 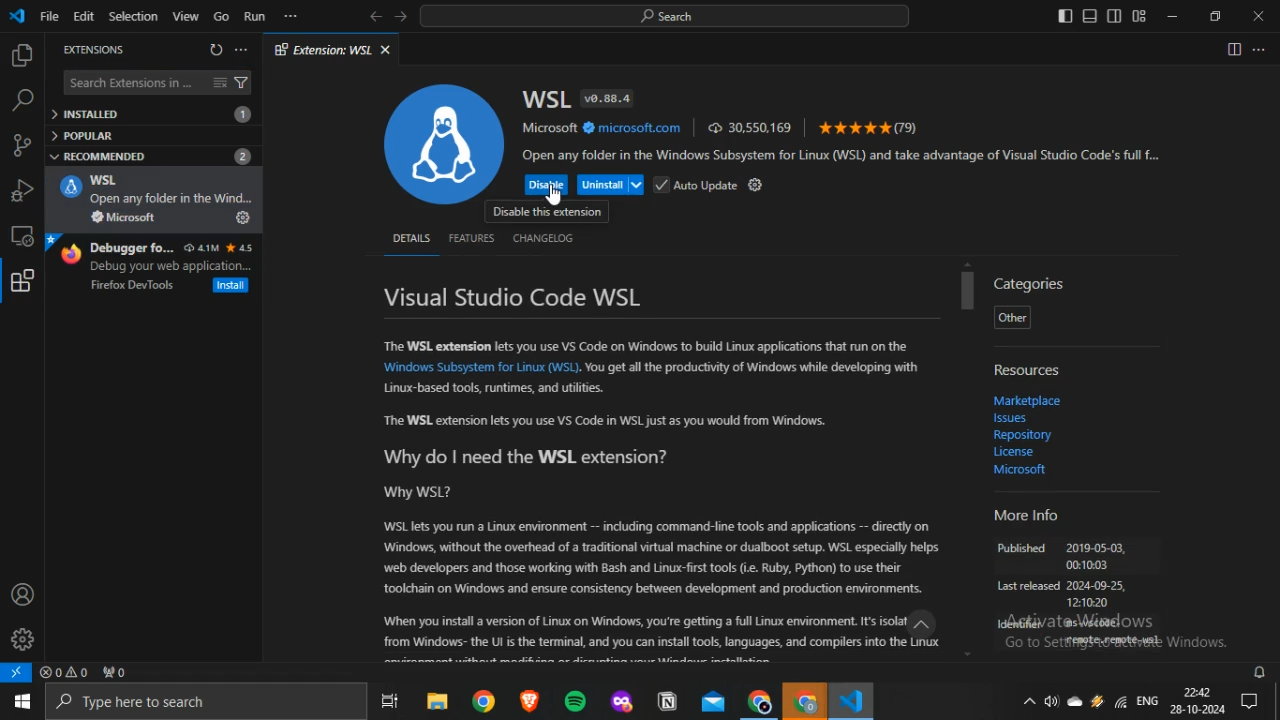 I want to click on remote, remote -wsl, so click(x=1111, y=642).